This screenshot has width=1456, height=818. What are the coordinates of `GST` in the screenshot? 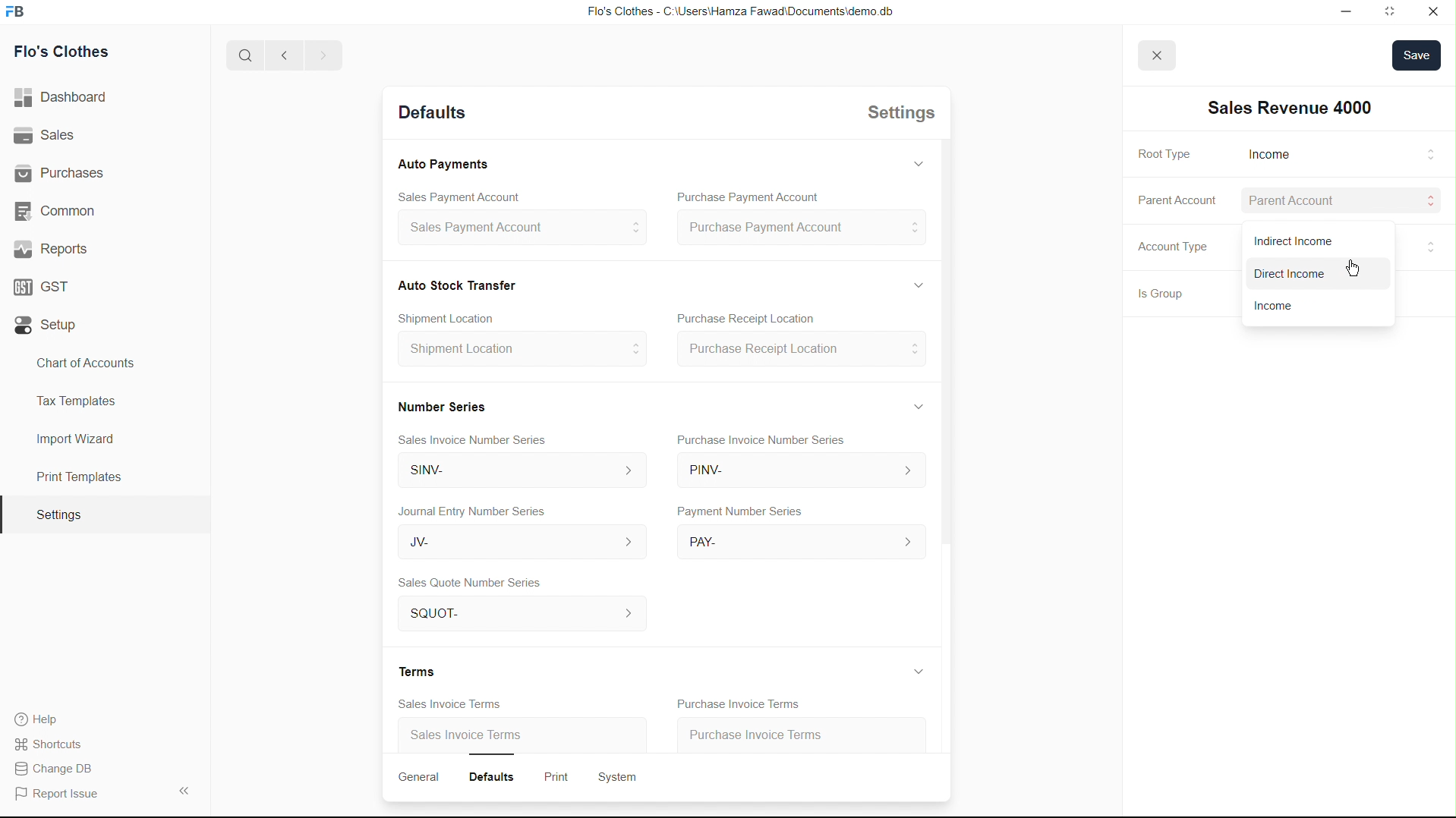 It's located at (47, 283).